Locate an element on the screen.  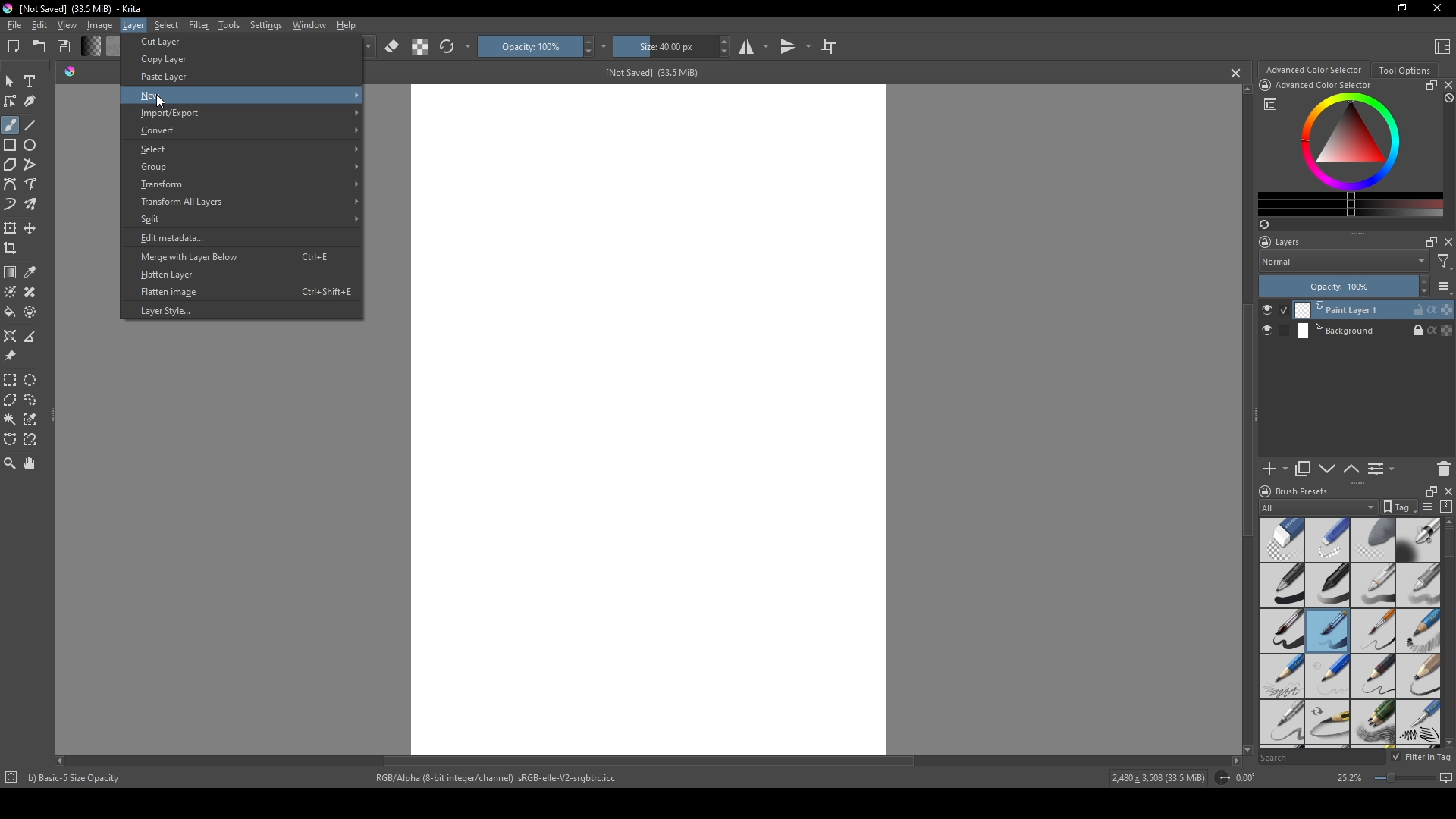
[Not Saved] (33.5 MiB) is located at coordinates (650, 73).